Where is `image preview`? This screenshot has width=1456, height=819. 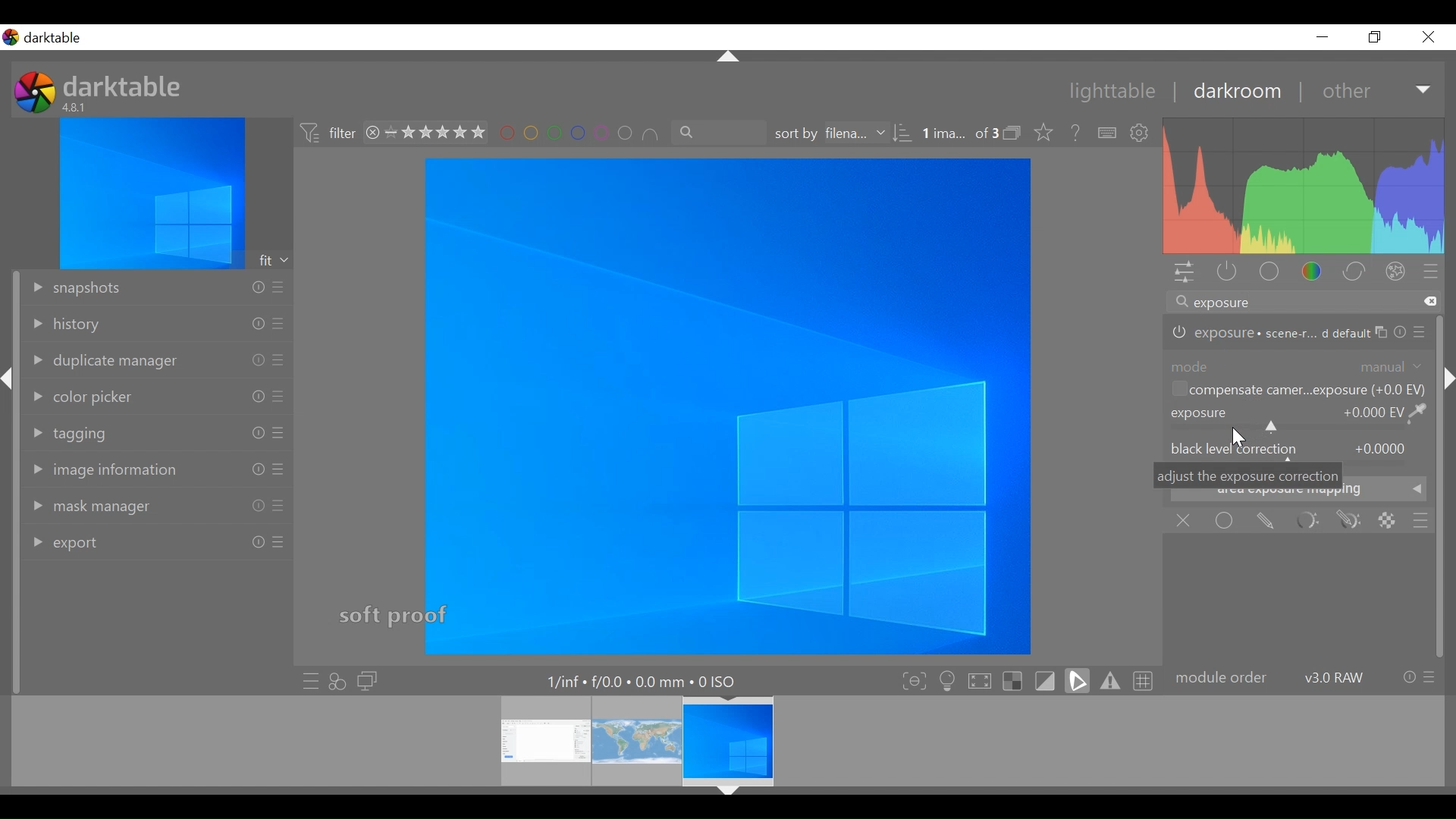 image preview is located at coordinates (152, 193).